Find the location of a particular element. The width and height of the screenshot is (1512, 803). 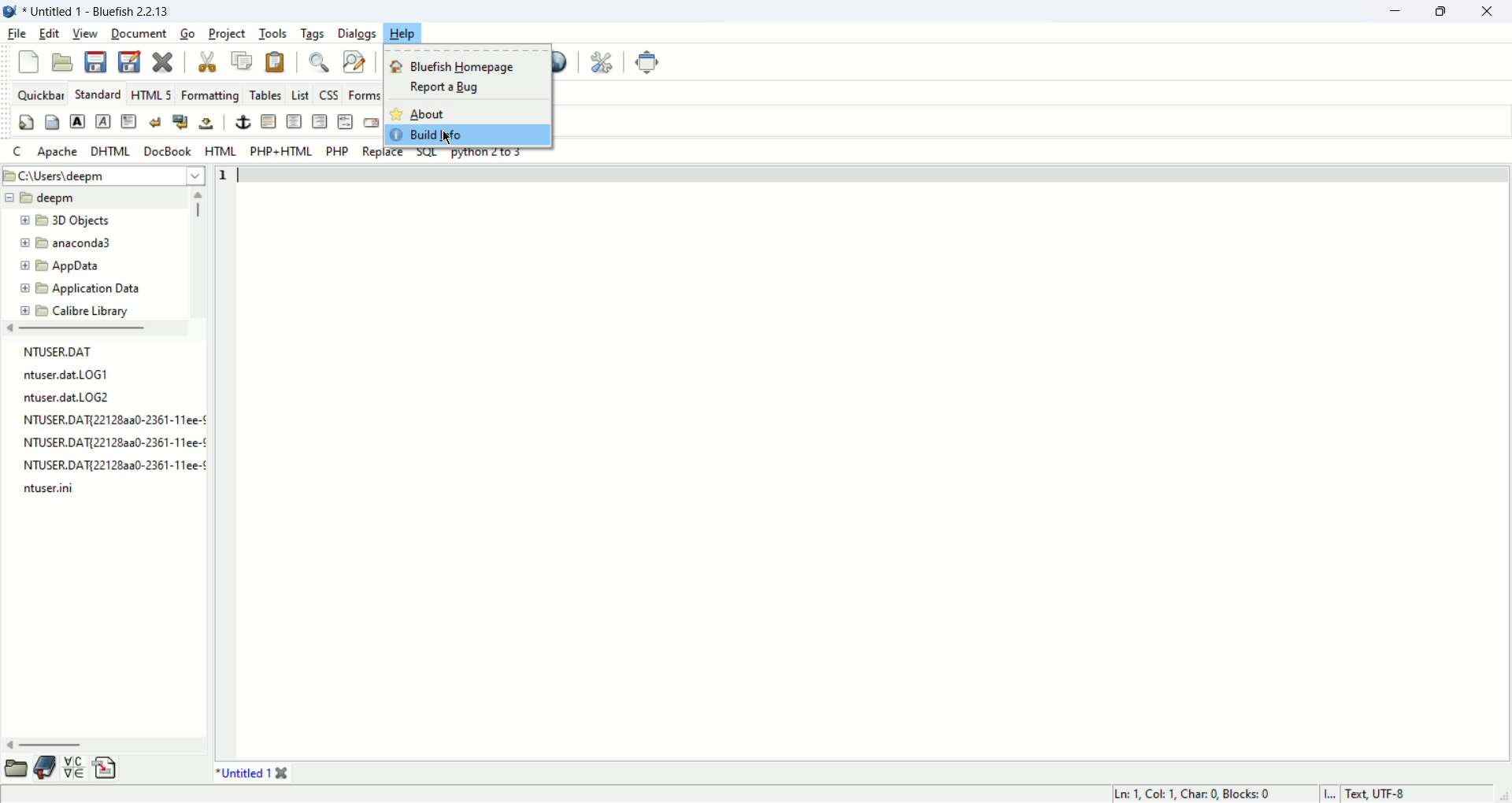

scroll bar is located at coordinates (199, 252).